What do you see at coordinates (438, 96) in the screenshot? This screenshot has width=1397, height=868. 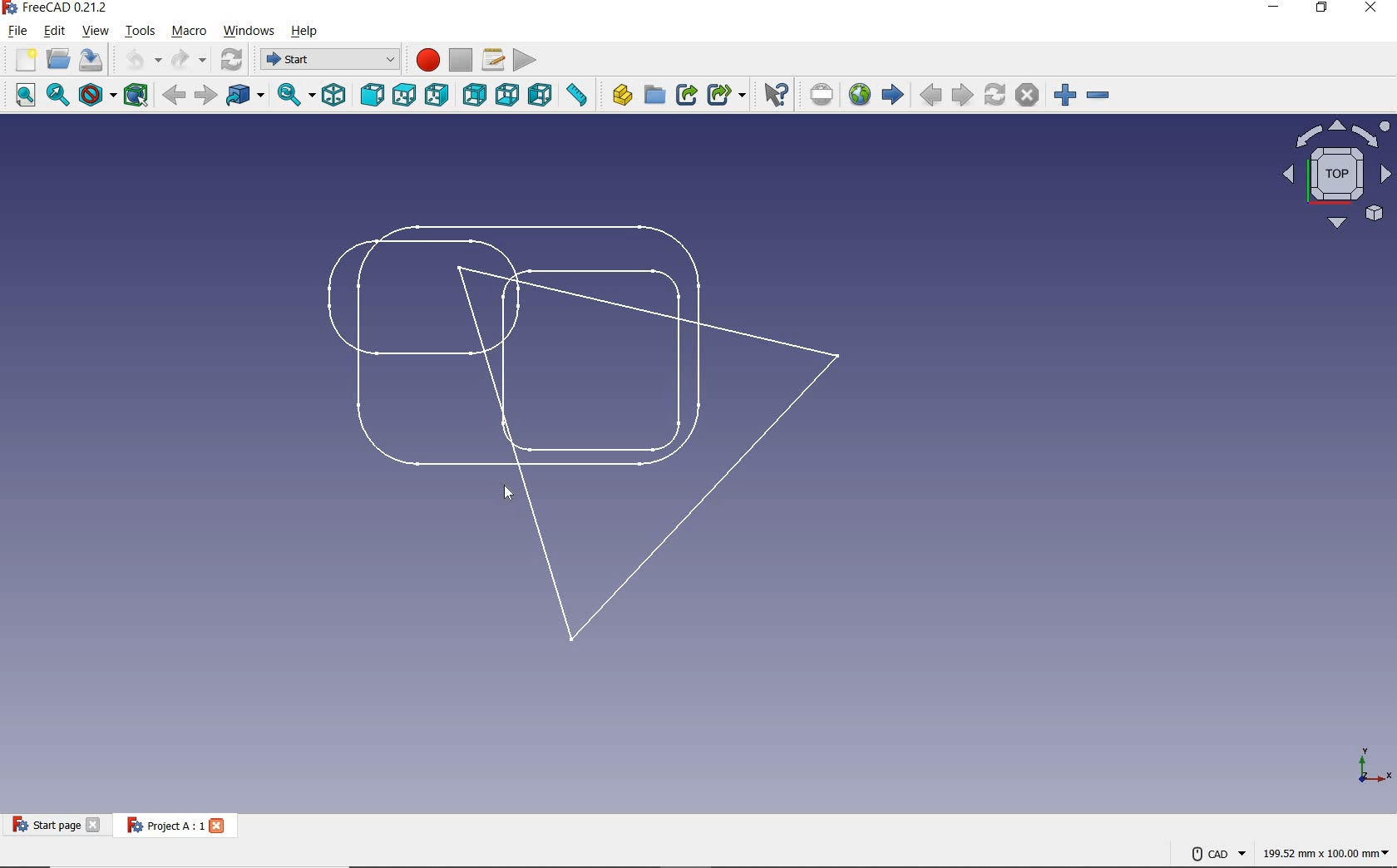 I see `RIGHT` at bounding box center [438, 96].